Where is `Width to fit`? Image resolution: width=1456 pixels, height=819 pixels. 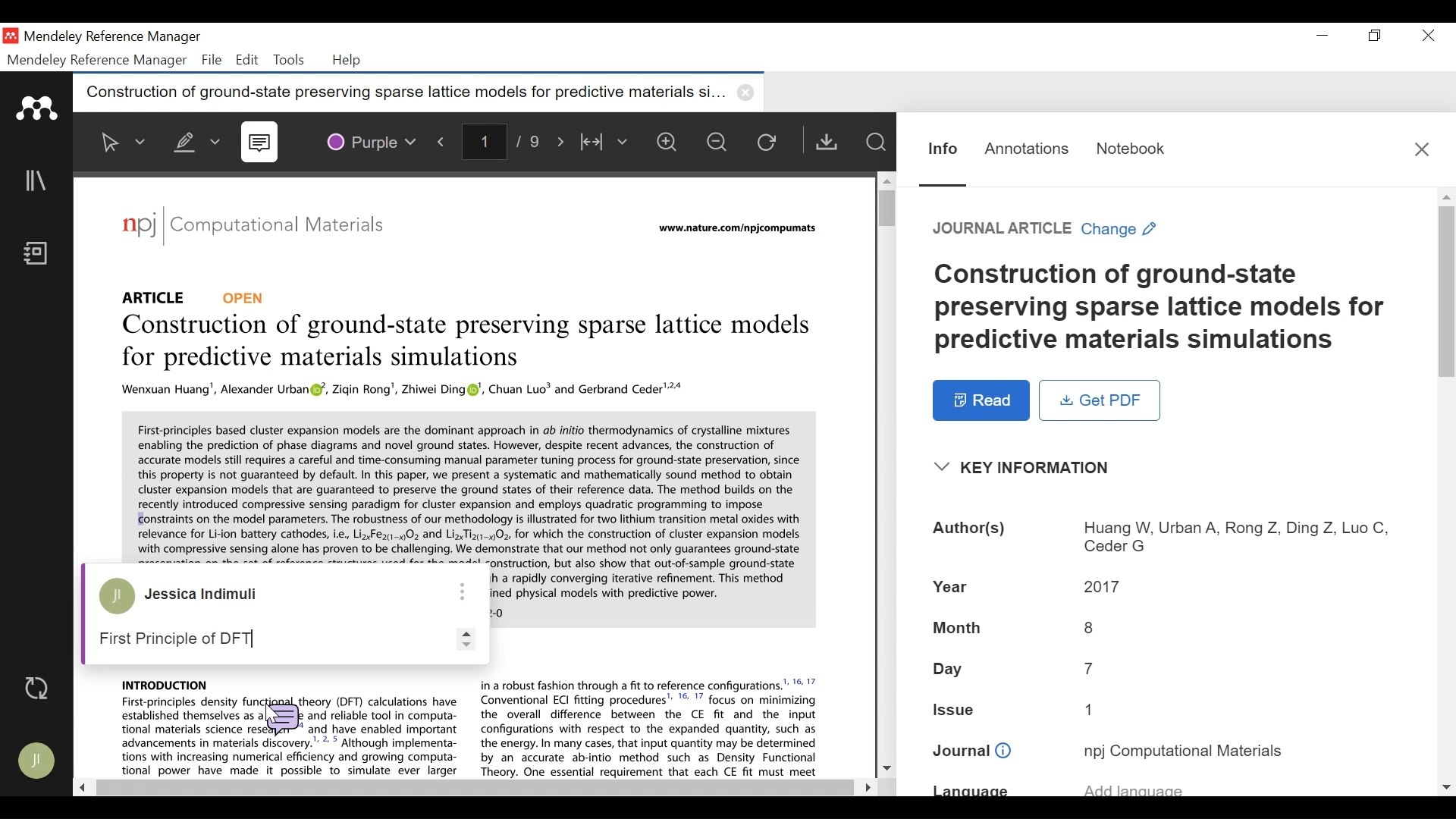
Width to fit is located at coordinates (606, 143).